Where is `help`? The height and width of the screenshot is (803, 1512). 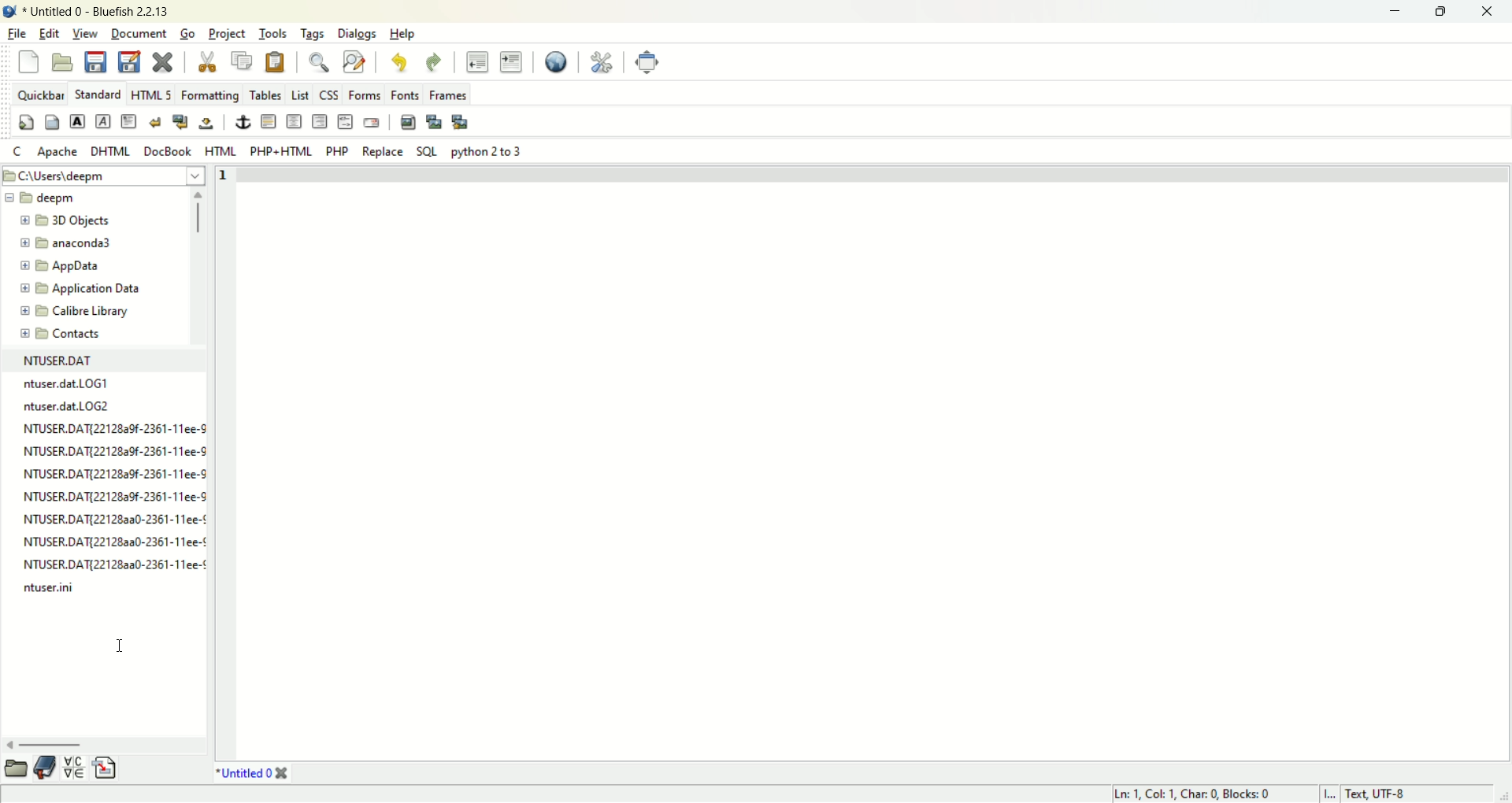 help is located at coordinates (407, 34).